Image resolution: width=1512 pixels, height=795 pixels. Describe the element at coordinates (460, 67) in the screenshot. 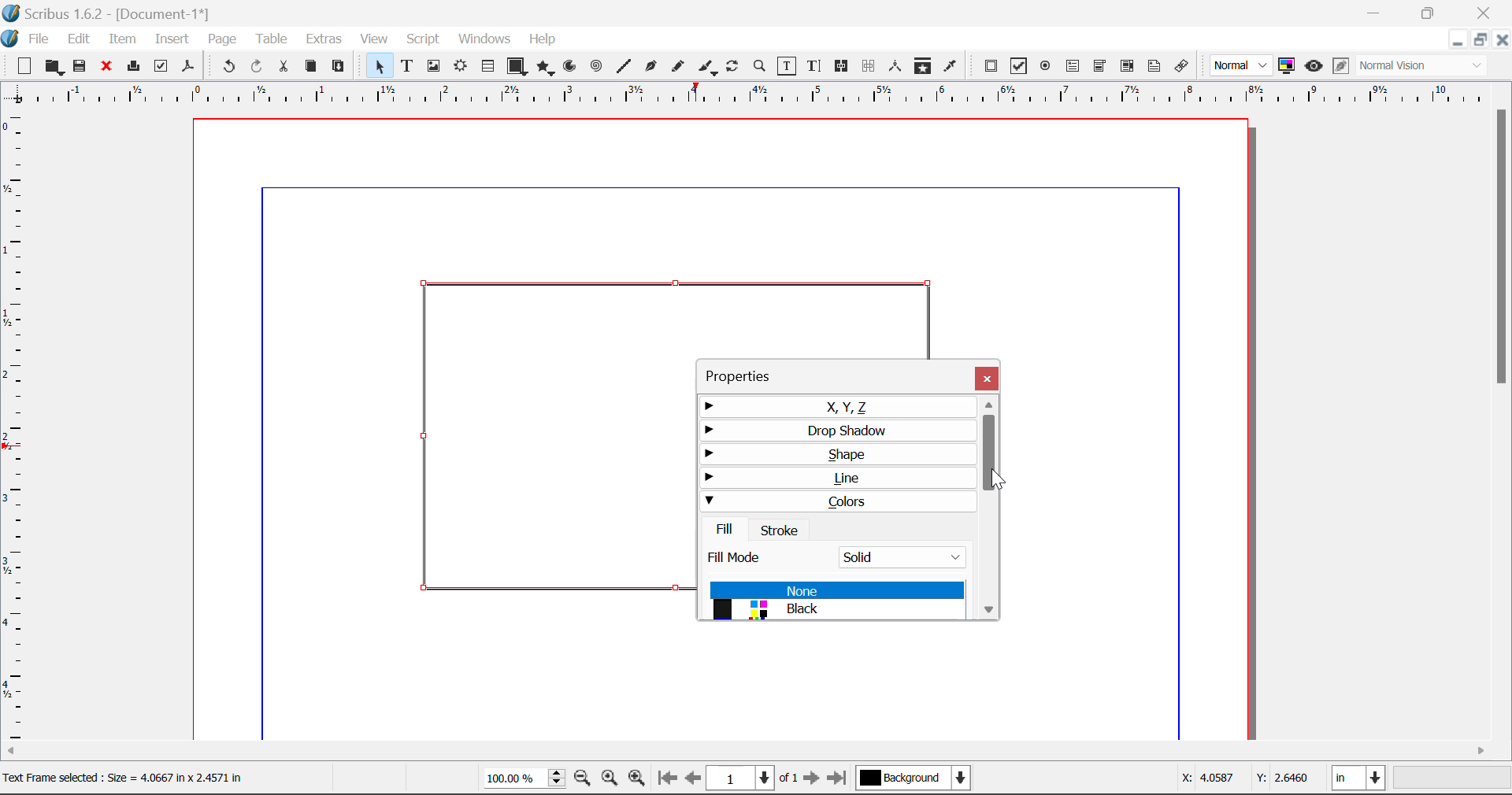

I see `Render Frame` at that location.